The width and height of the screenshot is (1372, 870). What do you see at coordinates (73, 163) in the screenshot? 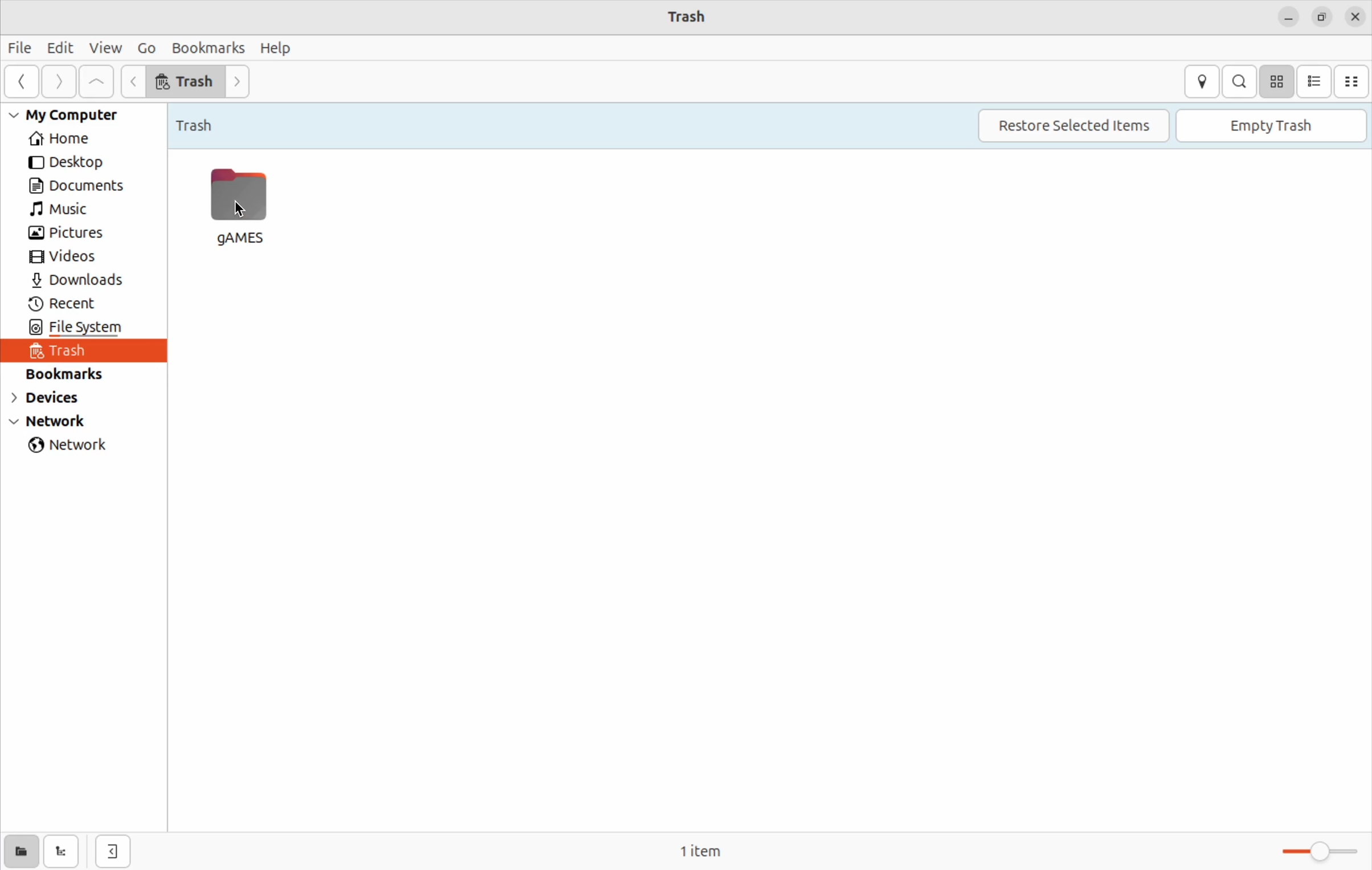
I see `desktop` at bounding box center [73, 163].